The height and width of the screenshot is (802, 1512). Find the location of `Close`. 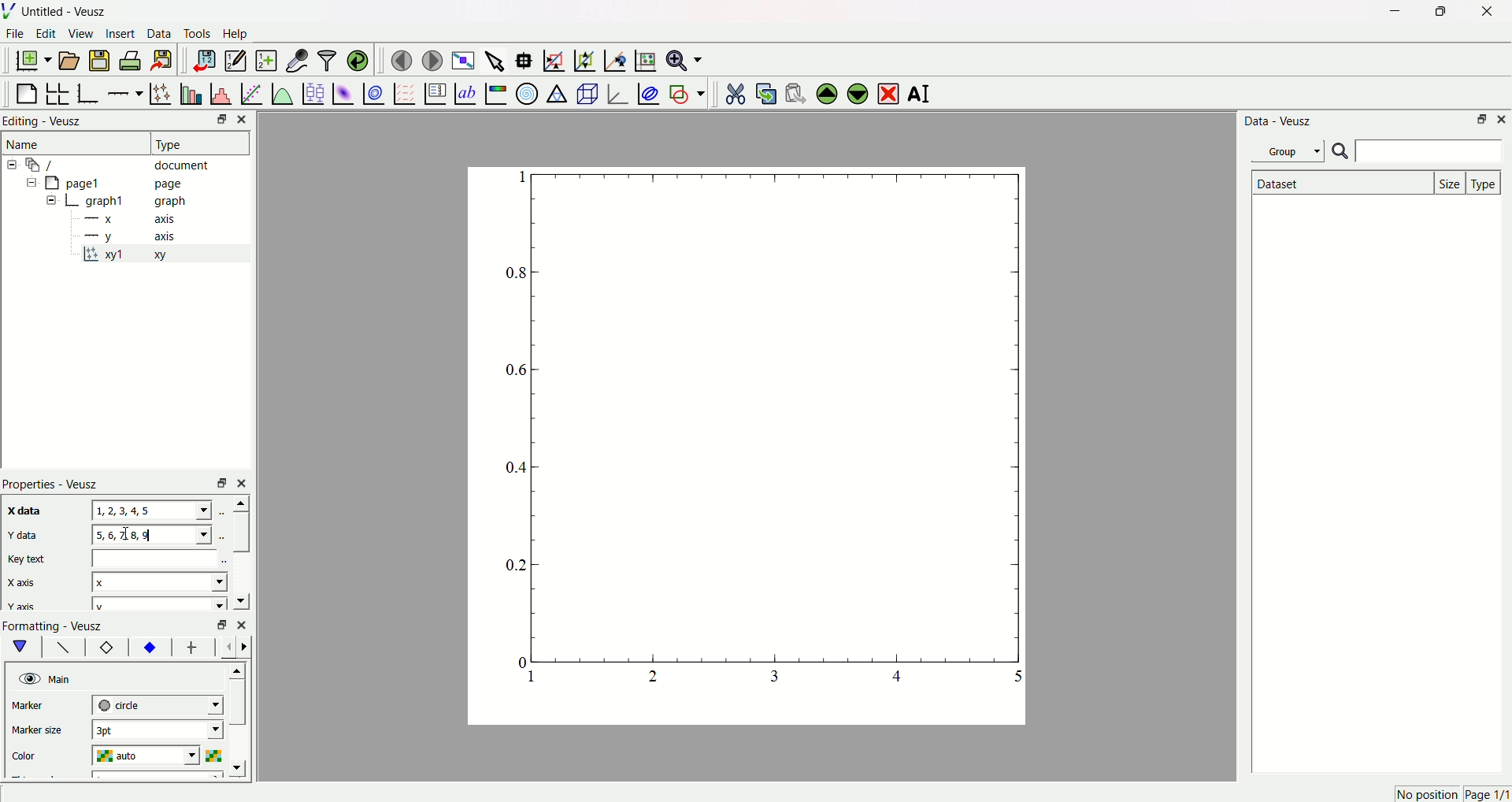

Close is located at coordinates (1481, 13).